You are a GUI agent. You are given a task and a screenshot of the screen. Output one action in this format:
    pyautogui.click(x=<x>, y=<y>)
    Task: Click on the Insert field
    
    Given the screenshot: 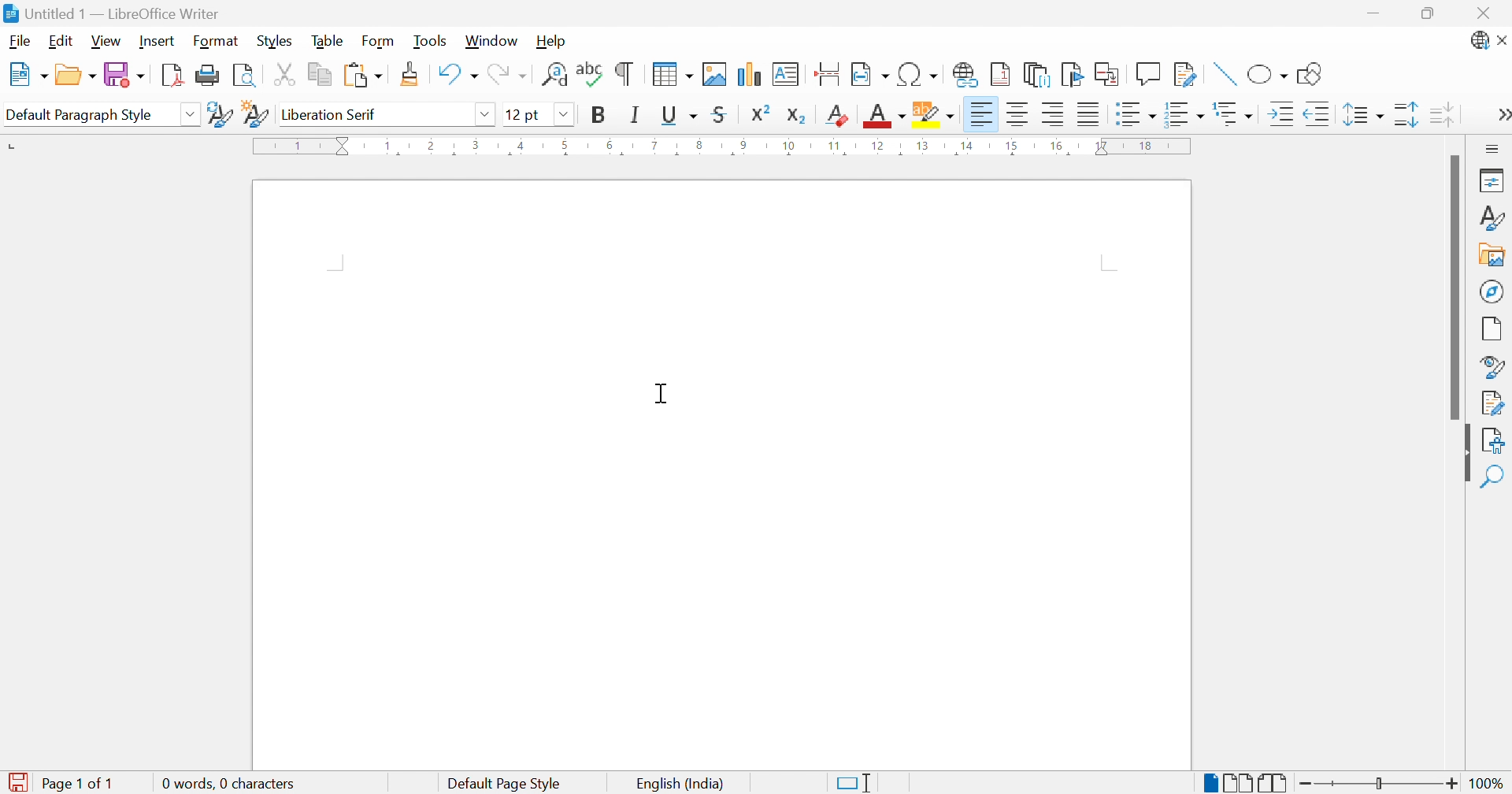 What is the action you would take?
    pyautogui.click(x=869, y=75)
    